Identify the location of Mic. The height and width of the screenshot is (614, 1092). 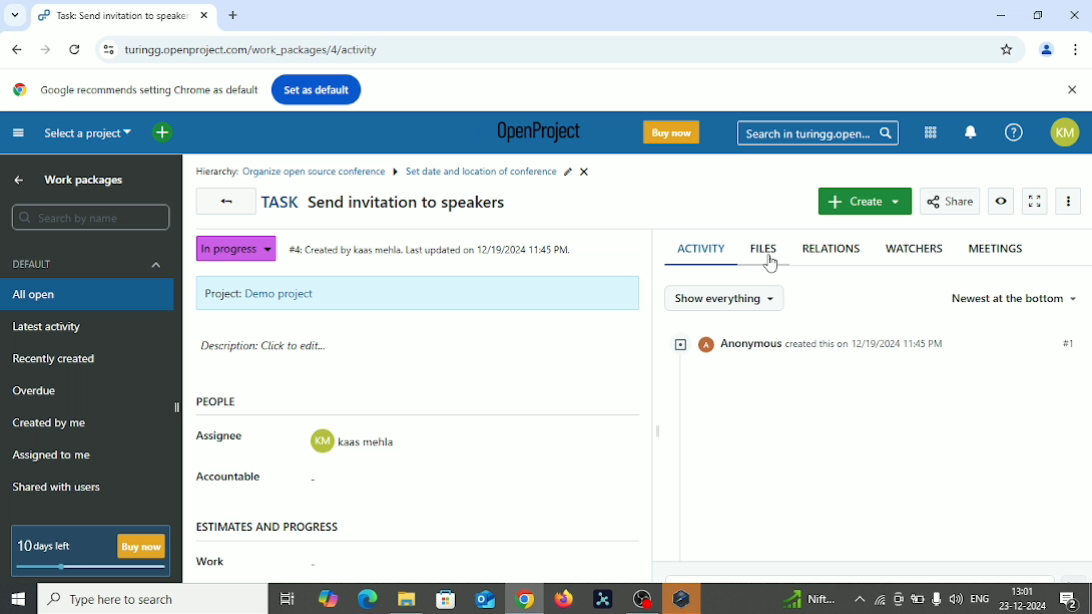
(936, 598).